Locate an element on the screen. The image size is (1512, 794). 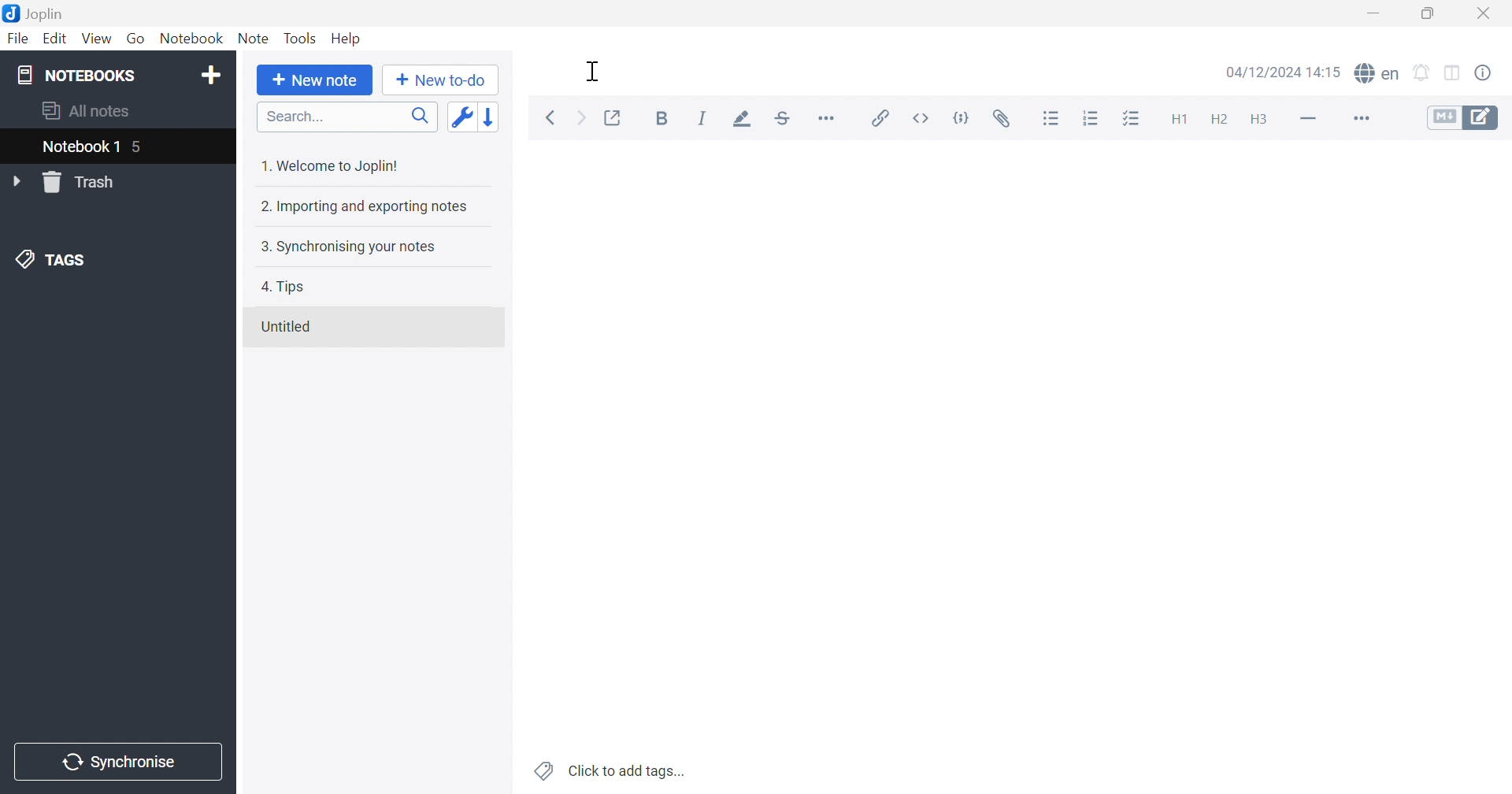
NOTEBOOKS is located at coordinates (75, 74).